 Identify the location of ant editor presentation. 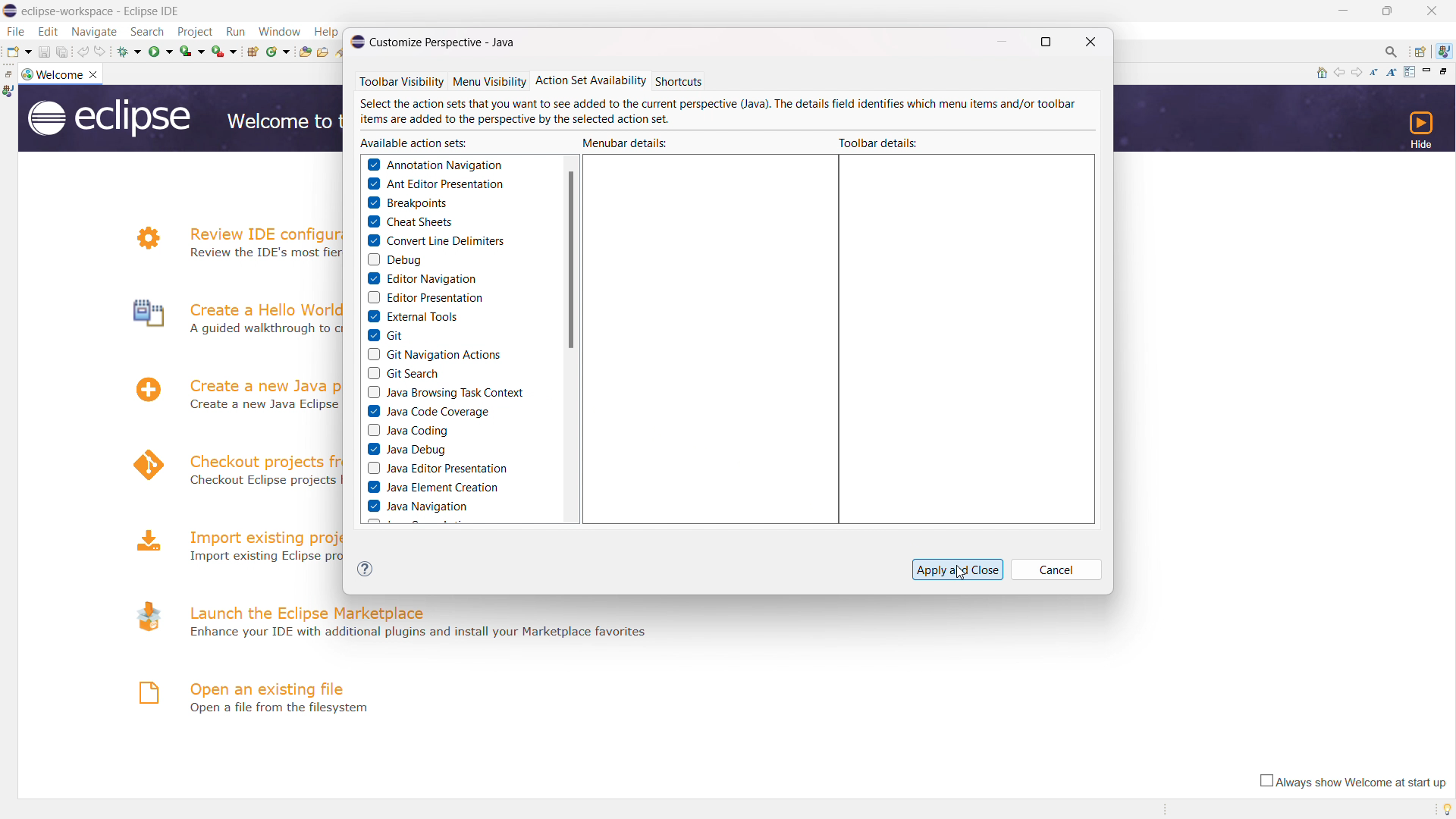
(435, 184).